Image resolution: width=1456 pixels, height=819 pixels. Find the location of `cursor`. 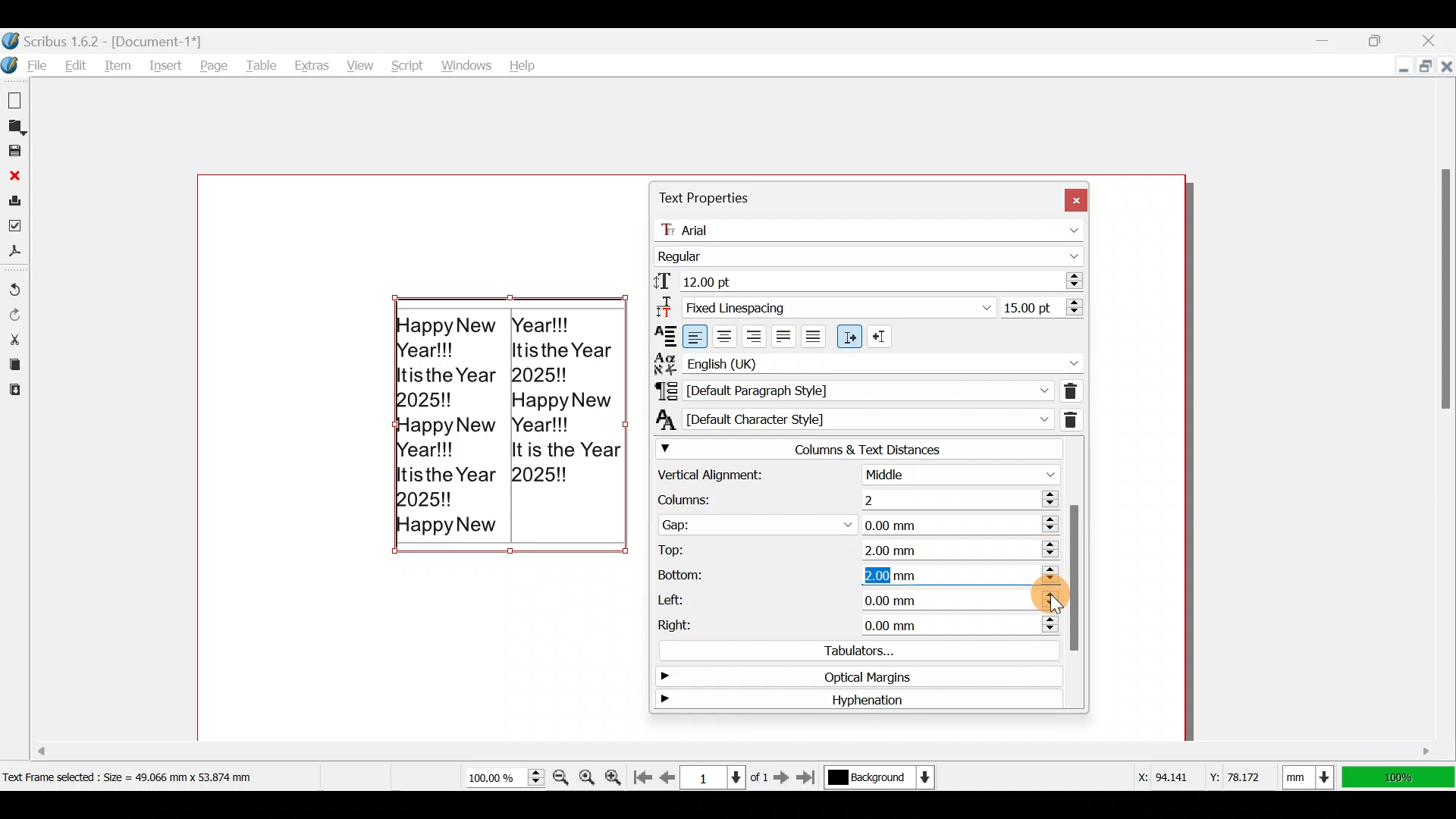

cursor is located at coordinates (1059, 608).